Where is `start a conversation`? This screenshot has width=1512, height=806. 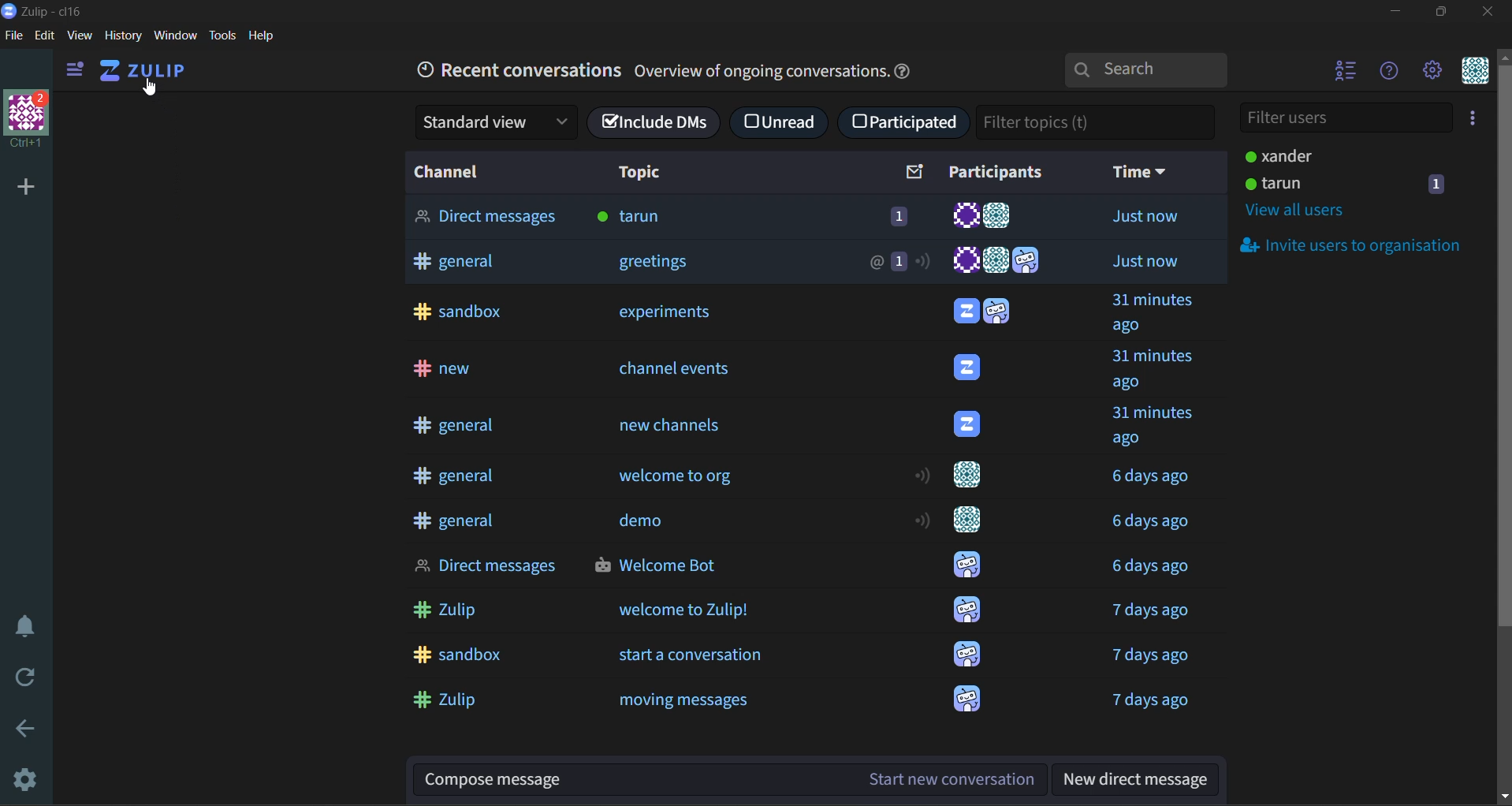
start a conversation is located at coordinates (695, 651).